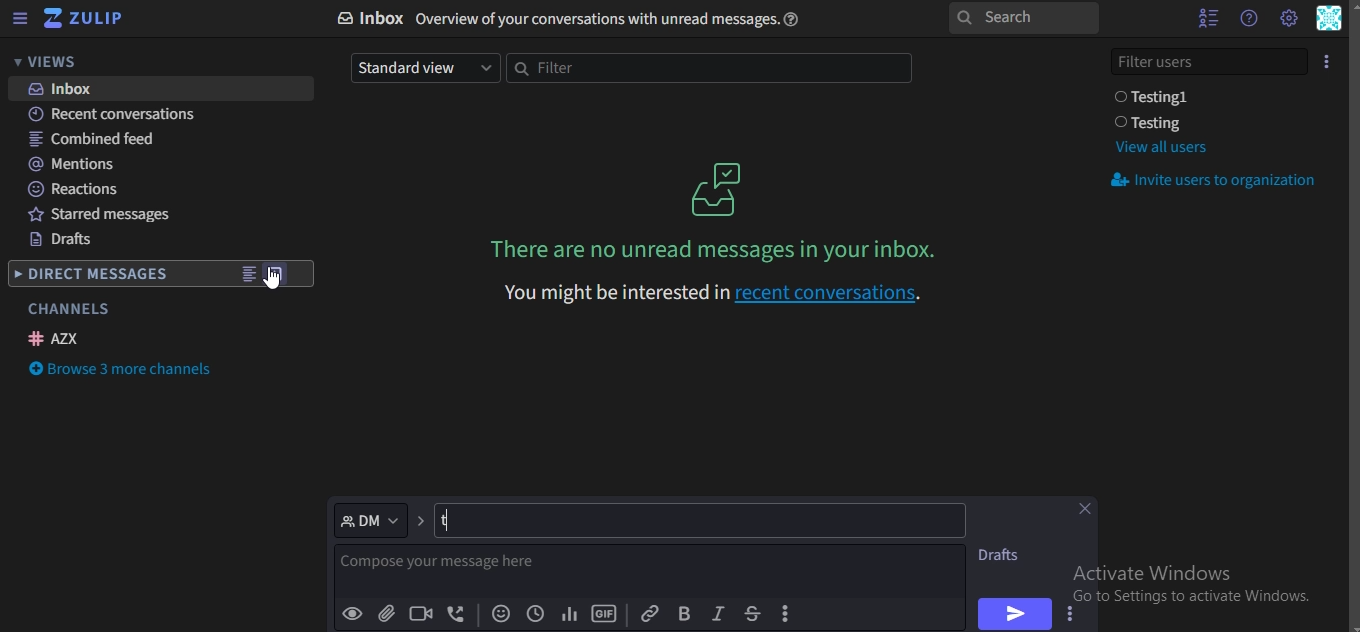  I want to click on add global time, so click(533, 615).